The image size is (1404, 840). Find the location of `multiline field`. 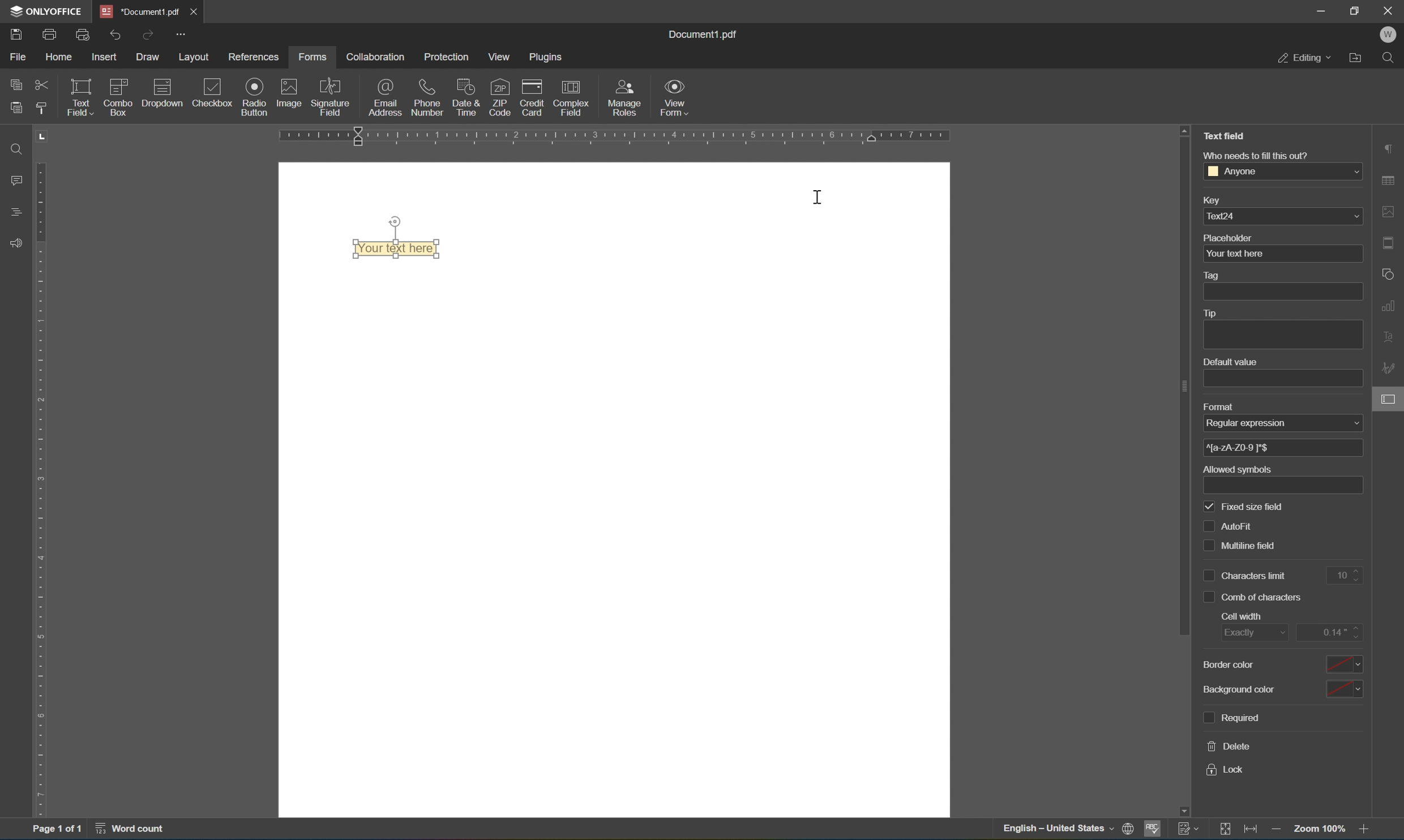

multiline field is located at coordinates (1241, 547).